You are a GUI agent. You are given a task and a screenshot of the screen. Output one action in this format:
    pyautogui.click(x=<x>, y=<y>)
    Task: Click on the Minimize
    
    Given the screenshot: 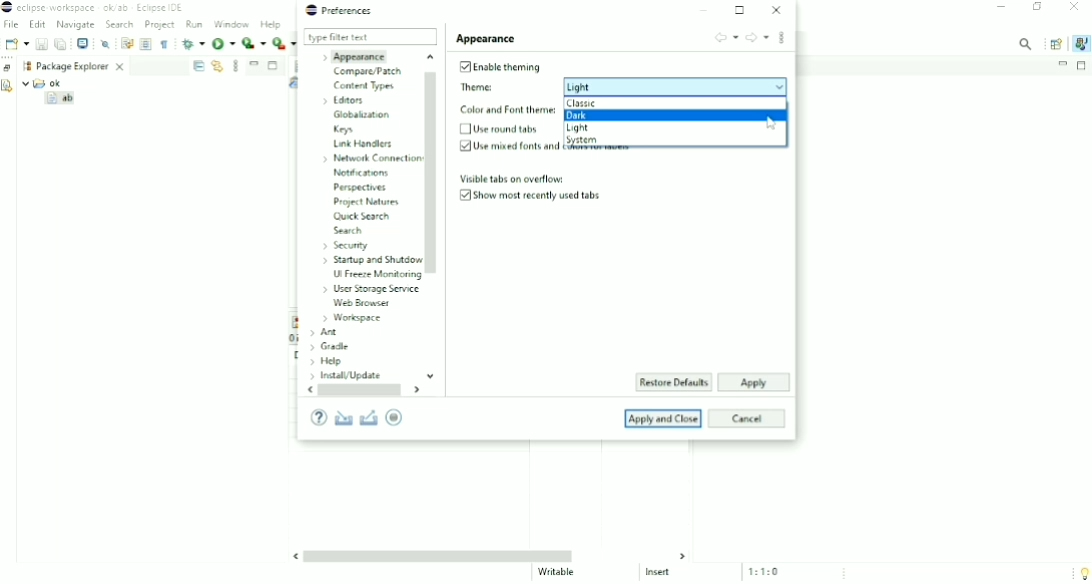 What is the action you would take?
    pyautogui.click(x=706, y=10)
    